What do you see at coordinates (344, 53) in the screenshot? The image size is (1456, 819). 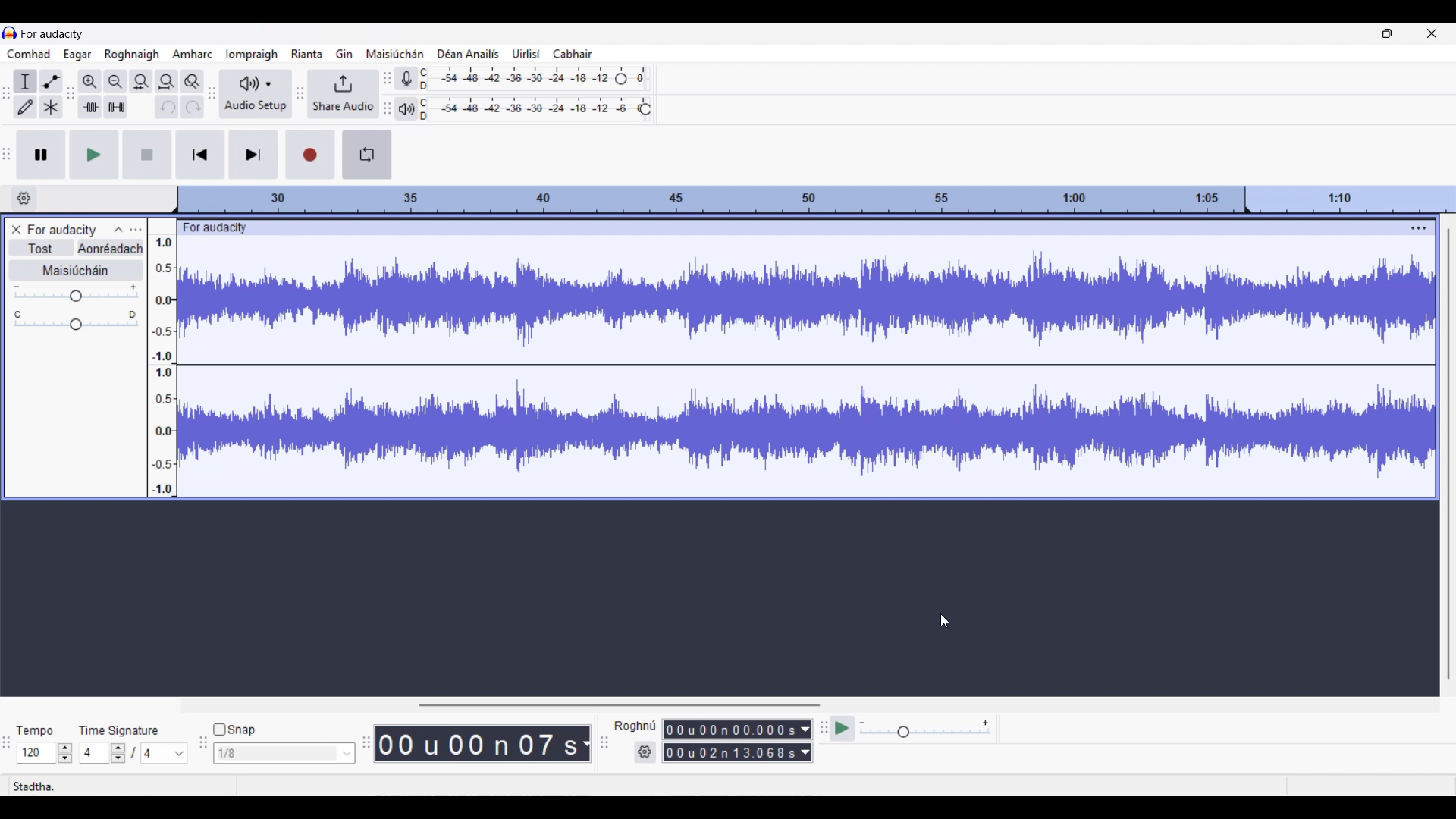 I see `Gin` at bounding box center [344, 53].